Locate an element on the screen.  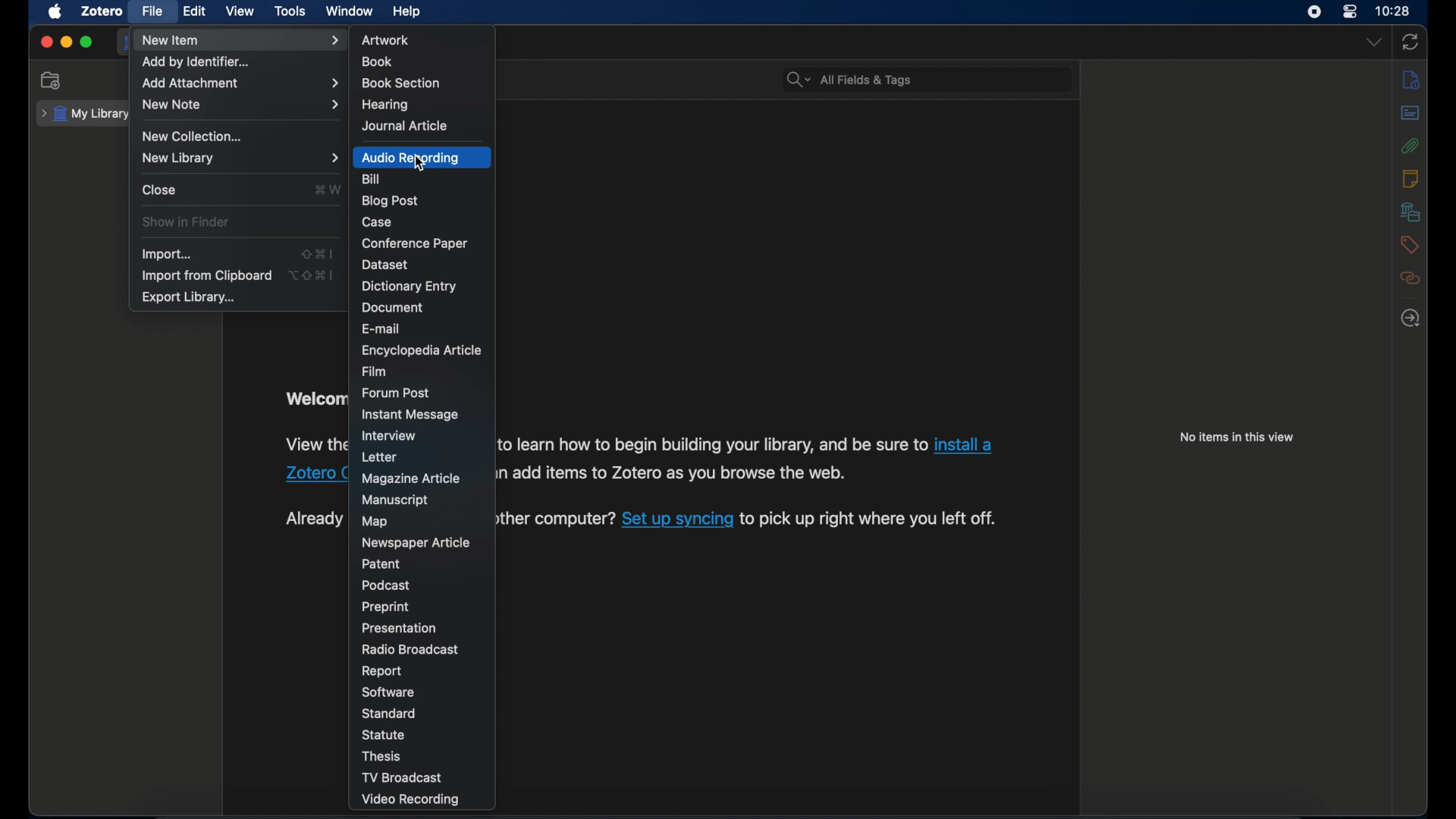
link is located at coordinates (713, 444).